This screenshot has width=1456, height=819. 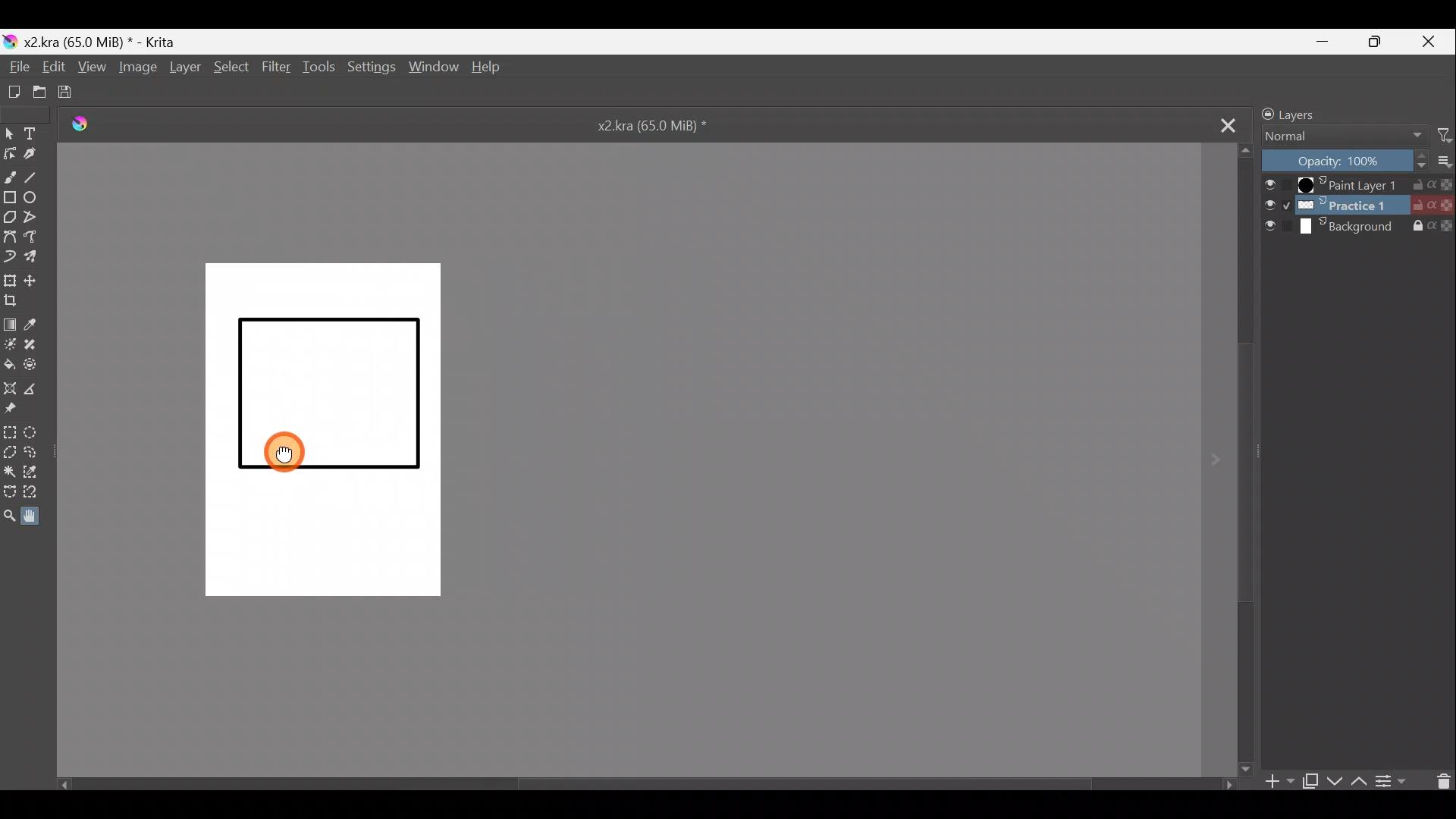 What do you see at coordinates (1357, 187) in the screenshot?
I see `Paint Layer 1` at bounding box center [1357, 187].